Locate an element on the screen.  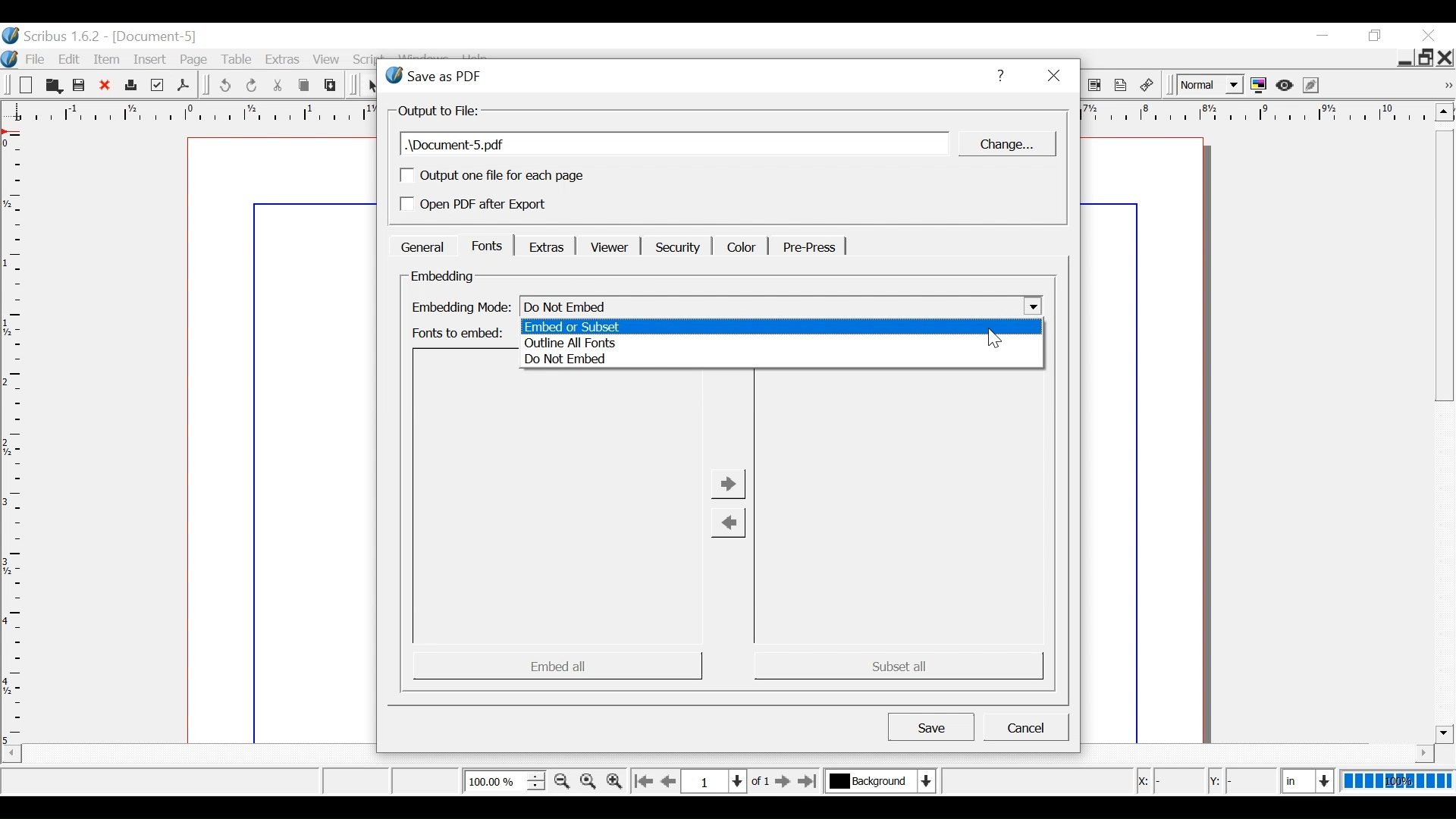
Extras is located at coordinates (283, 61).